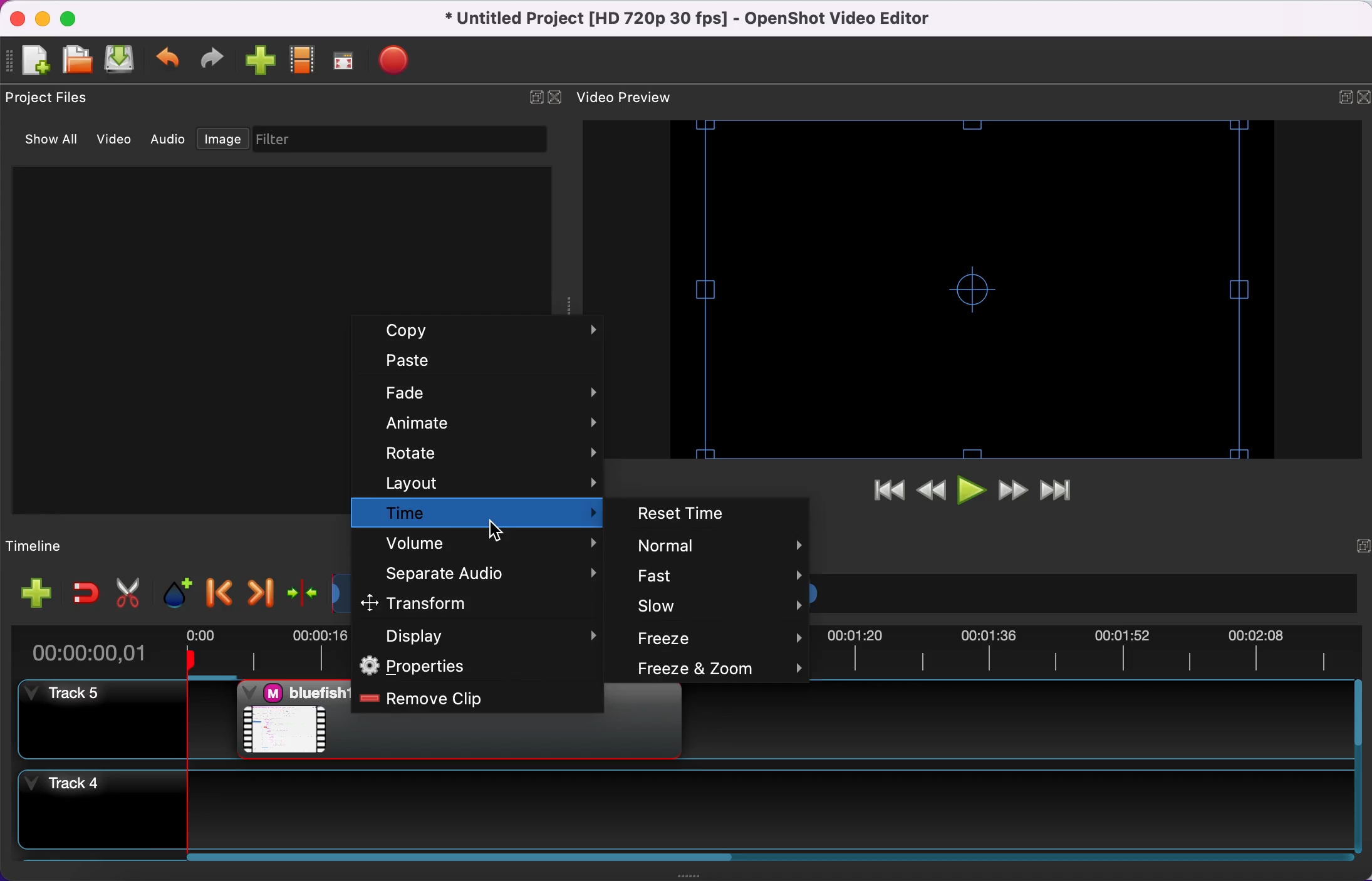 This screenshot has height=881, width=1372. What do you see at coordinates (128, 592) in the screenshot?
I see `cut` at bounding box center [128, 592].